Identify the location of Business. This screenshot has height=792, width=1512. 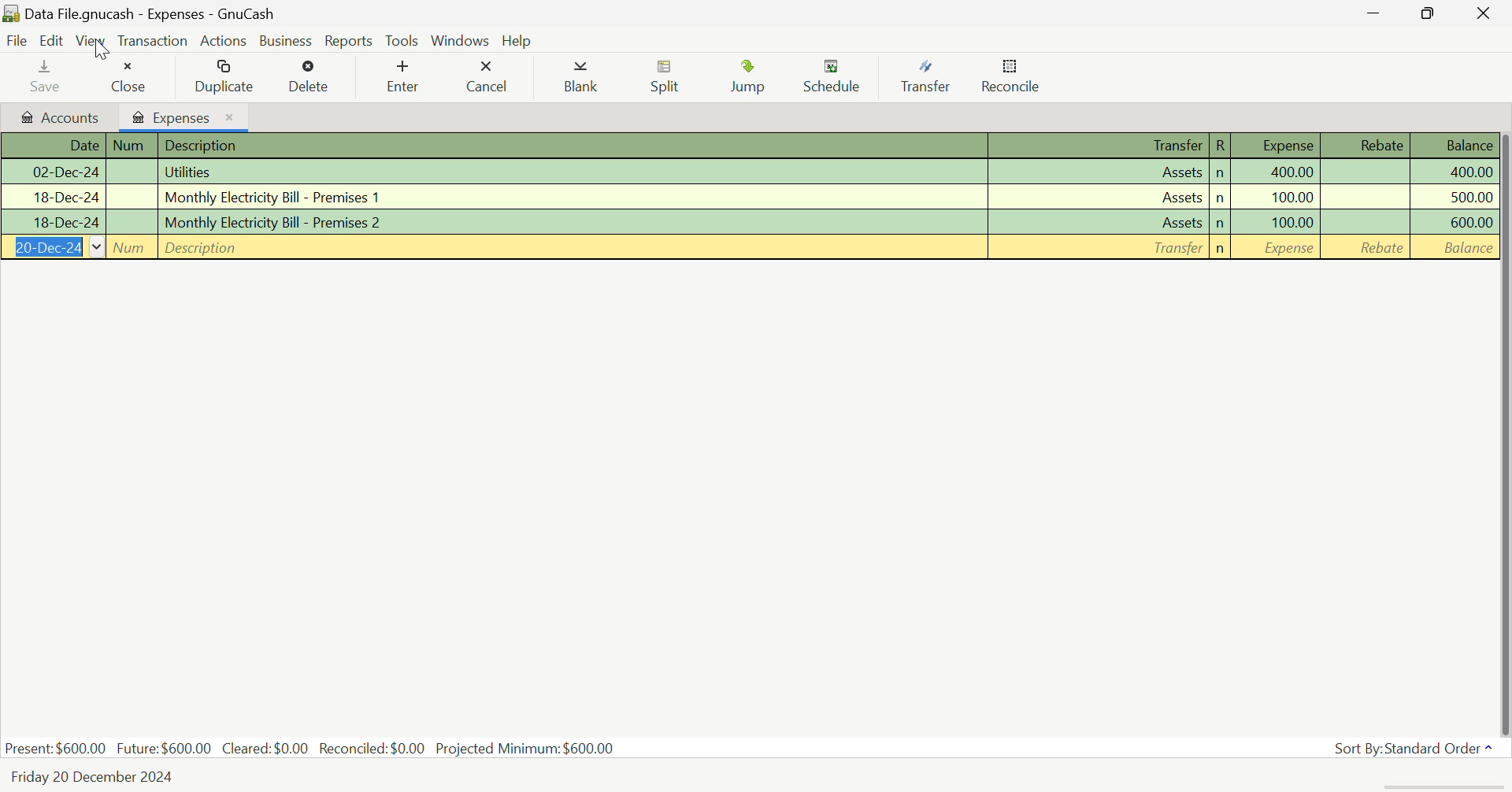
(287, 41).